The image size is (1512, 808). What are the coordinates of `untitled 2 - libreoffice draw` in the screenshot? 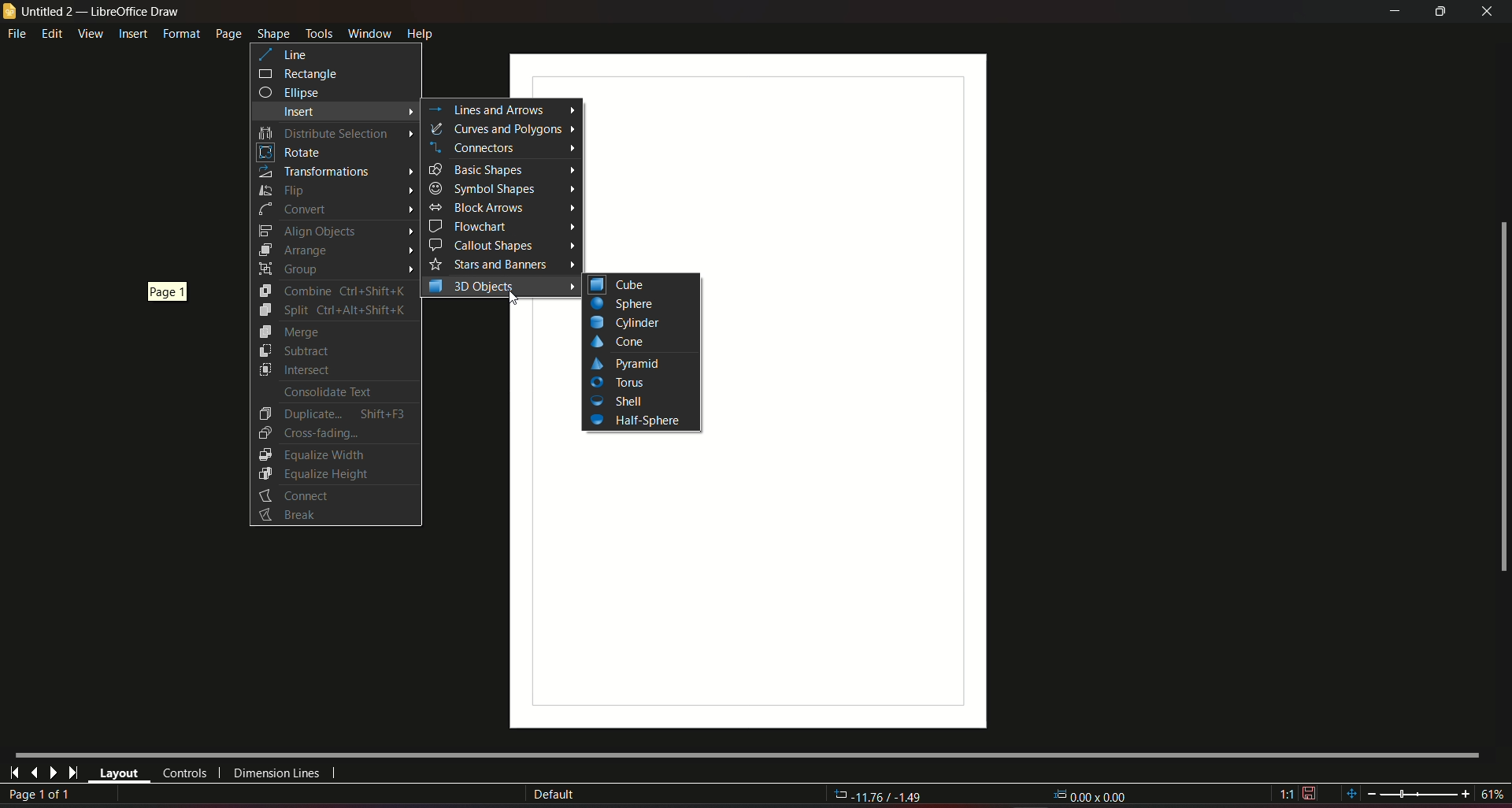 It's located at (93, 12).